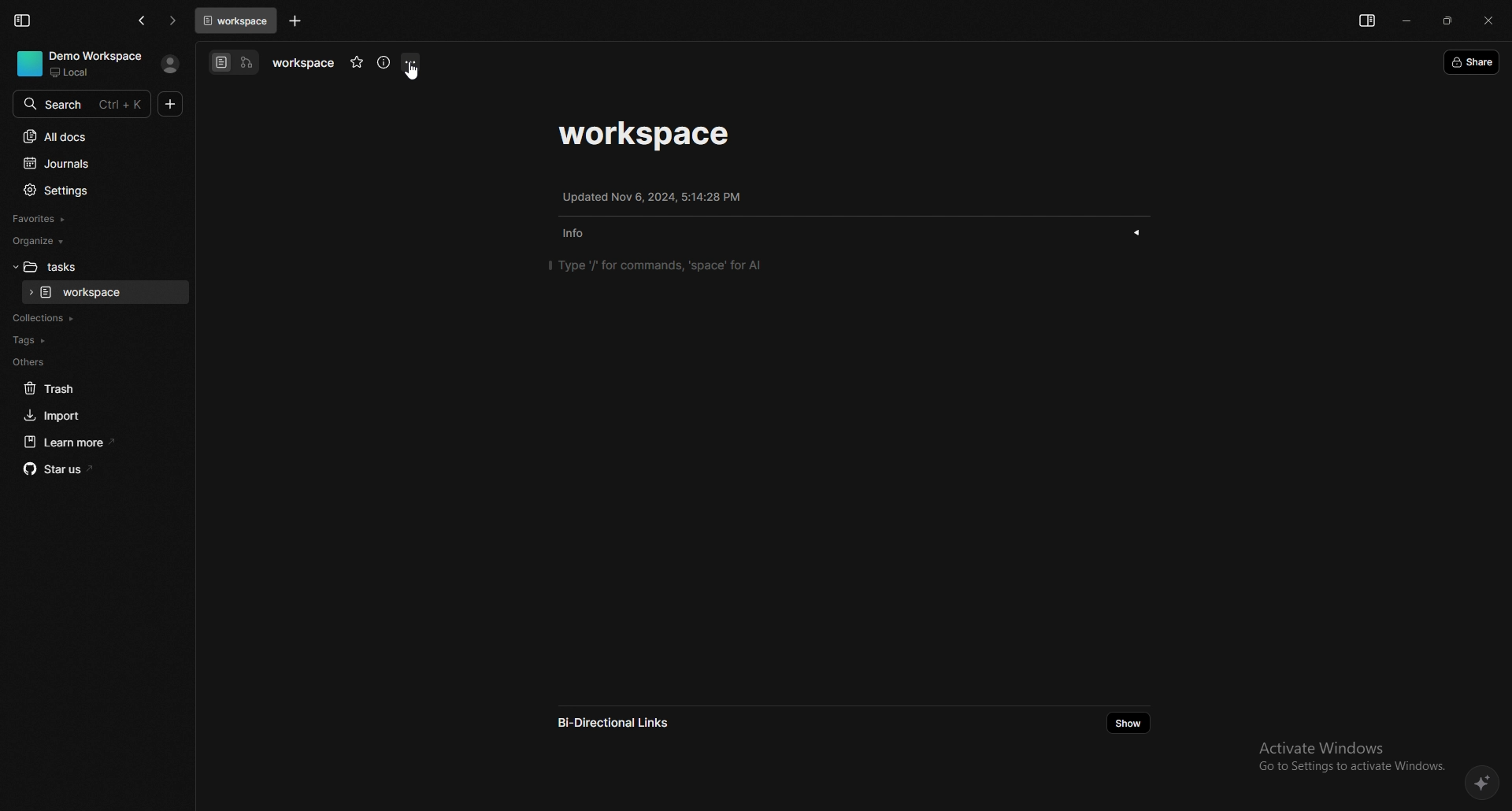  I want to click on trash, so click(92, 389).